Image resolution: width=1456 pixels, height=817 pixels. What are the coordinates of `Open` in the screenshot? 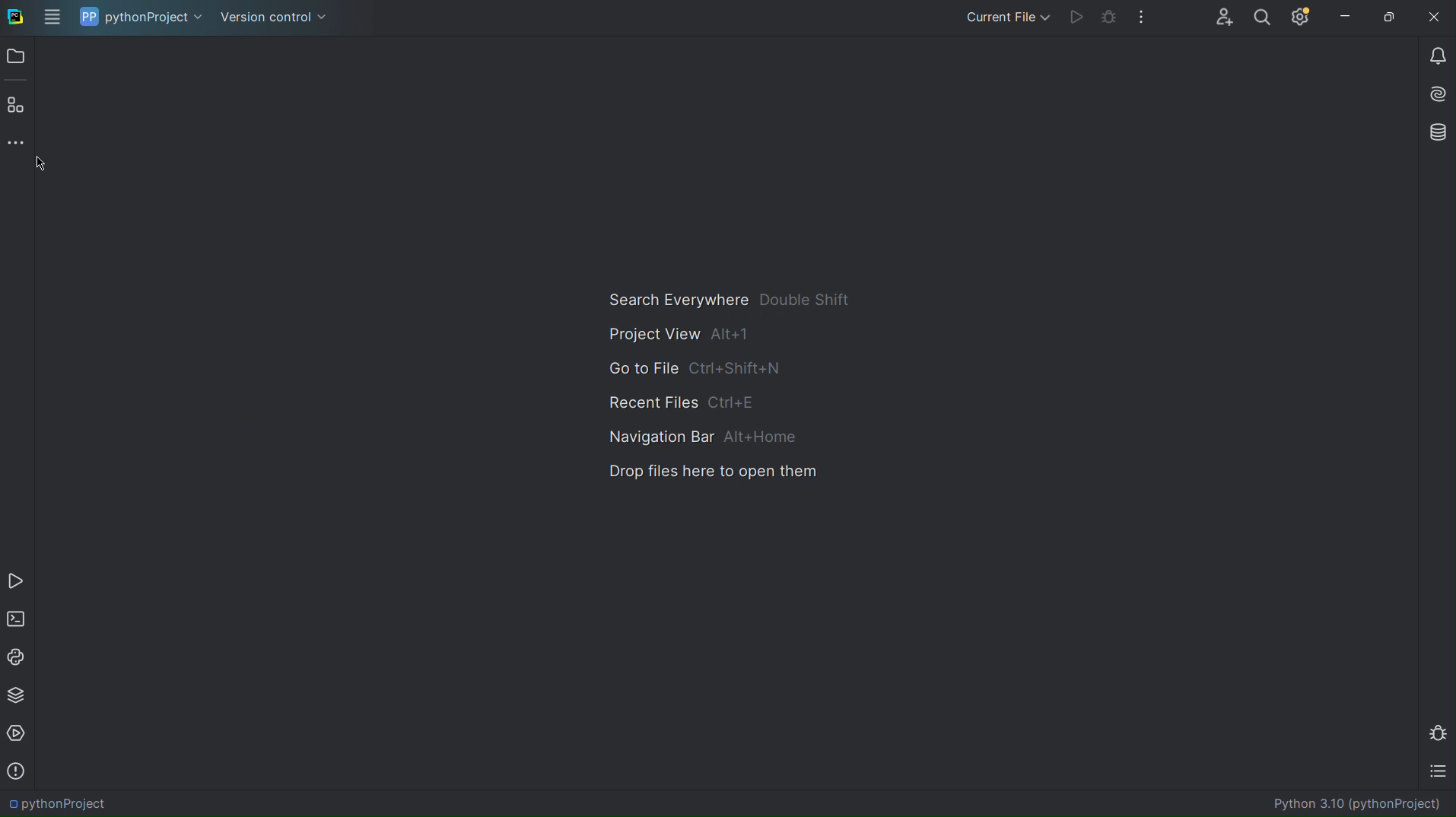 It's located at (17, 56).